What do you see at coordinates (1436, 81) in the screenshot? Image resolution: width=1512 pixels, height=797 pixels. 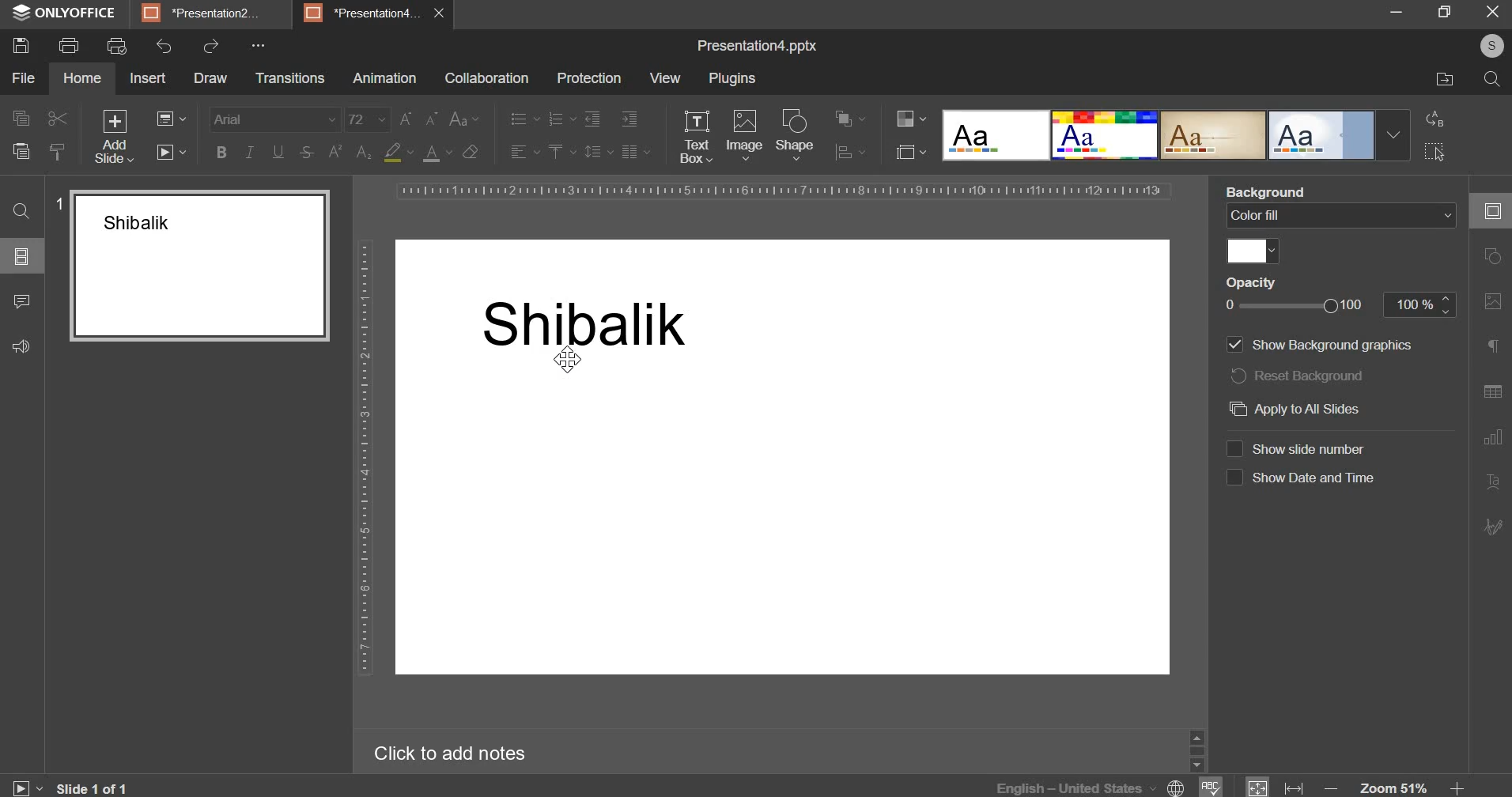 I see `File` at bounding box center [1436, 81].